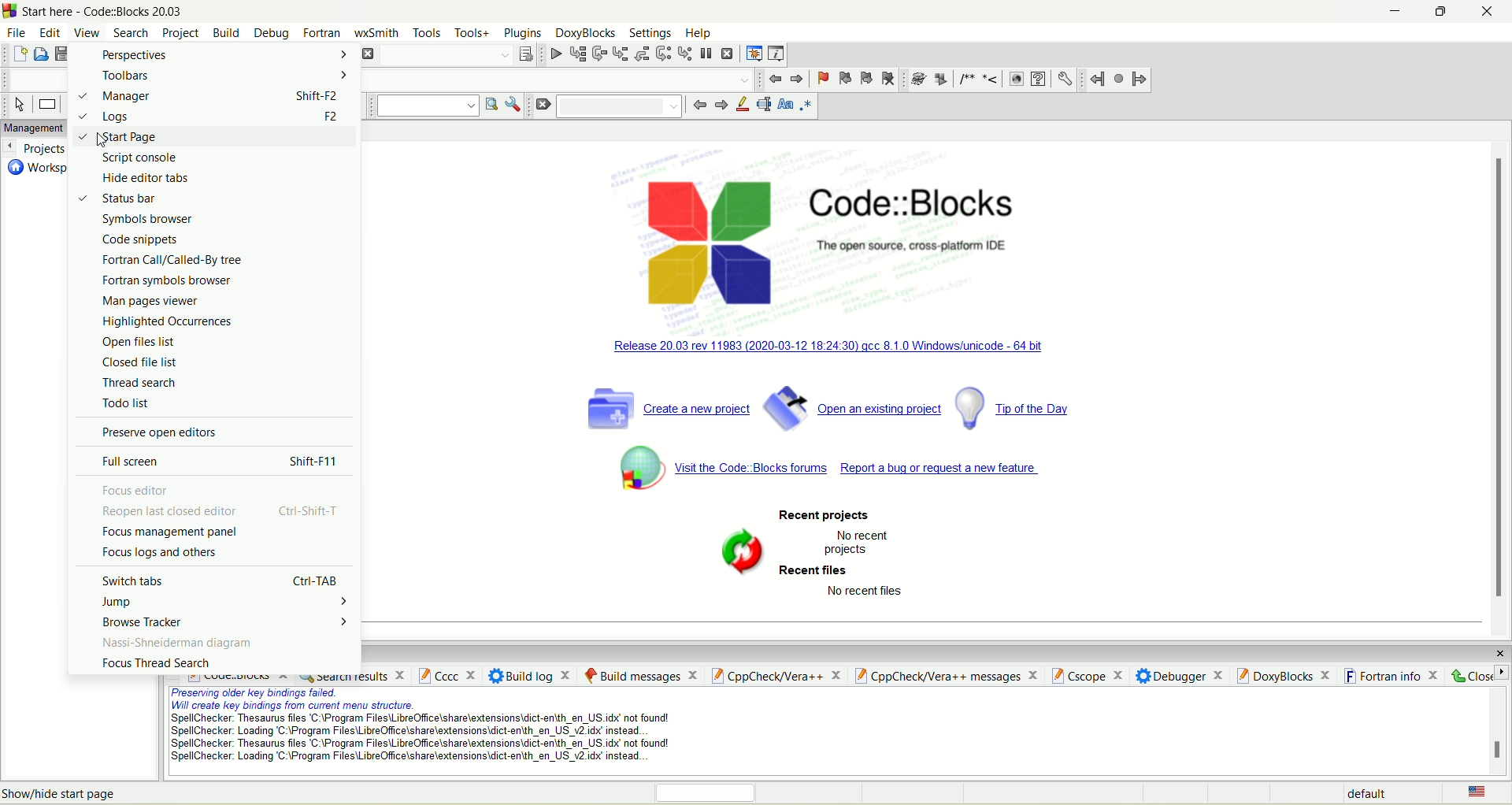 The width and height of the screenshot is (1512, 805). Describe the element at coordinates (214, 137) in the screenshot. I see `start page` at that location.